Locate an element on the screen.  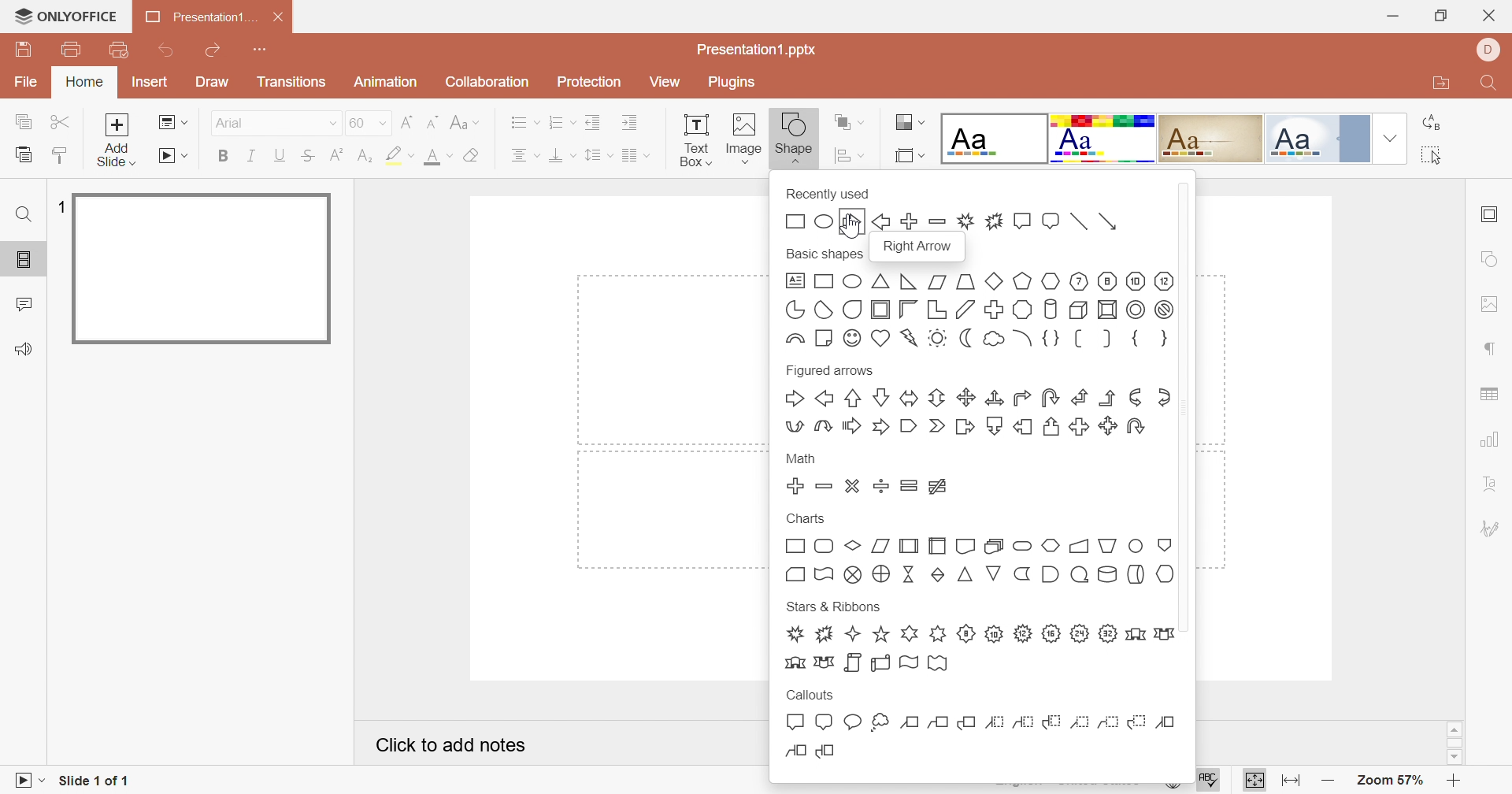
Right arrow is located at coordinates (920, 248).